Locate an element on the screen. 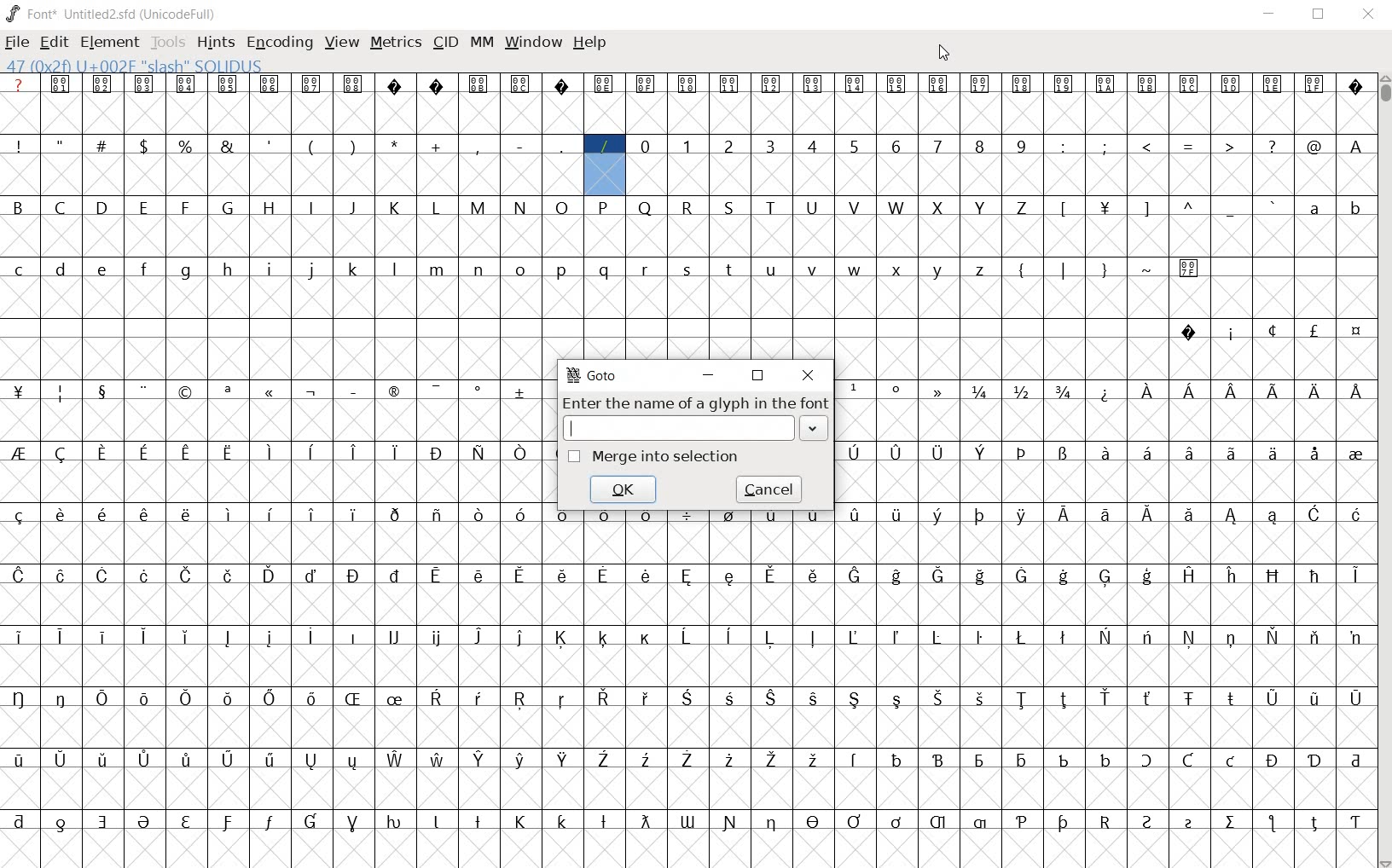  glyph is located at coordinates (271, 453).